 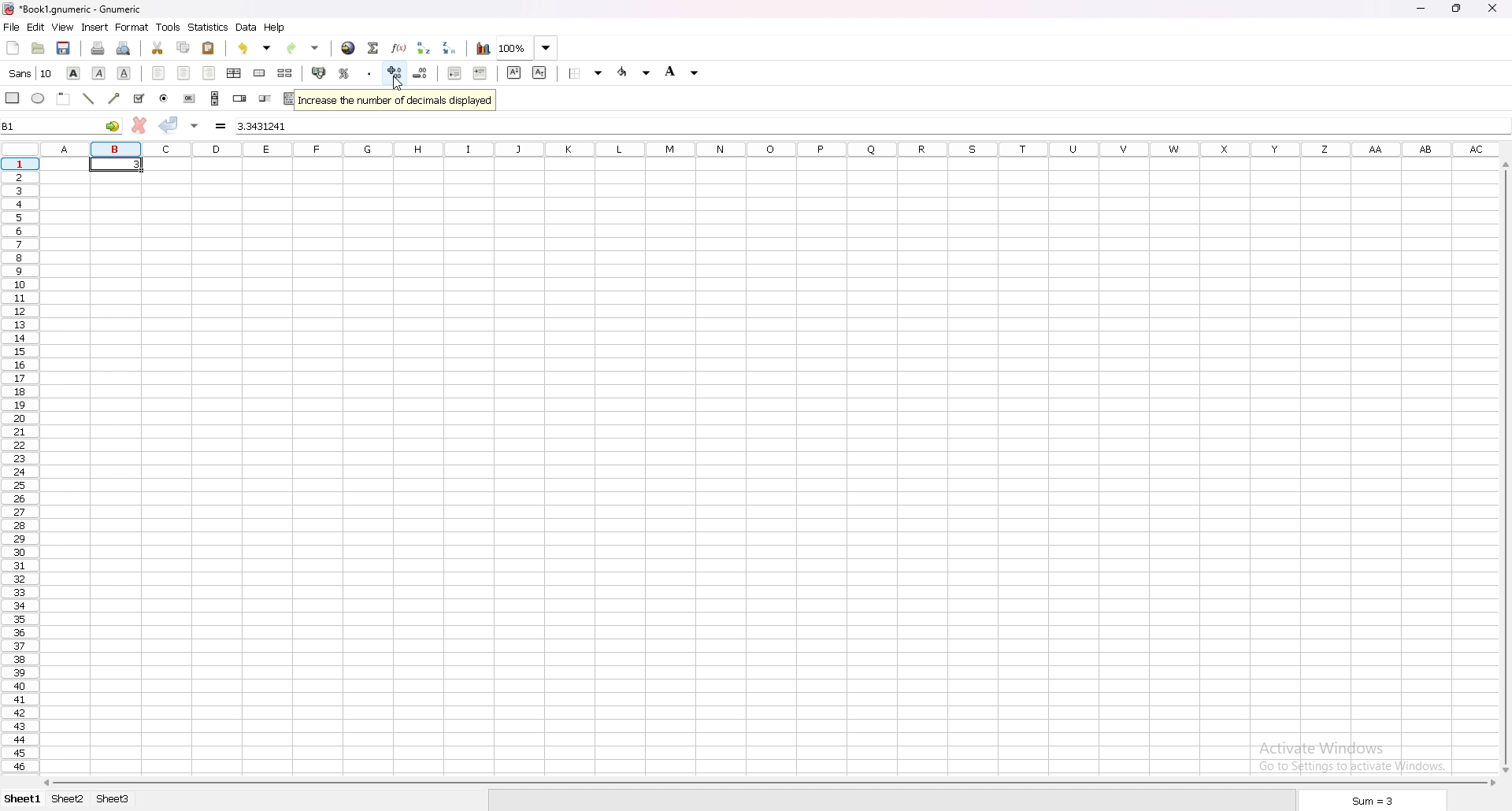 I want to click on increase decimal, so click(x=394, y=74).